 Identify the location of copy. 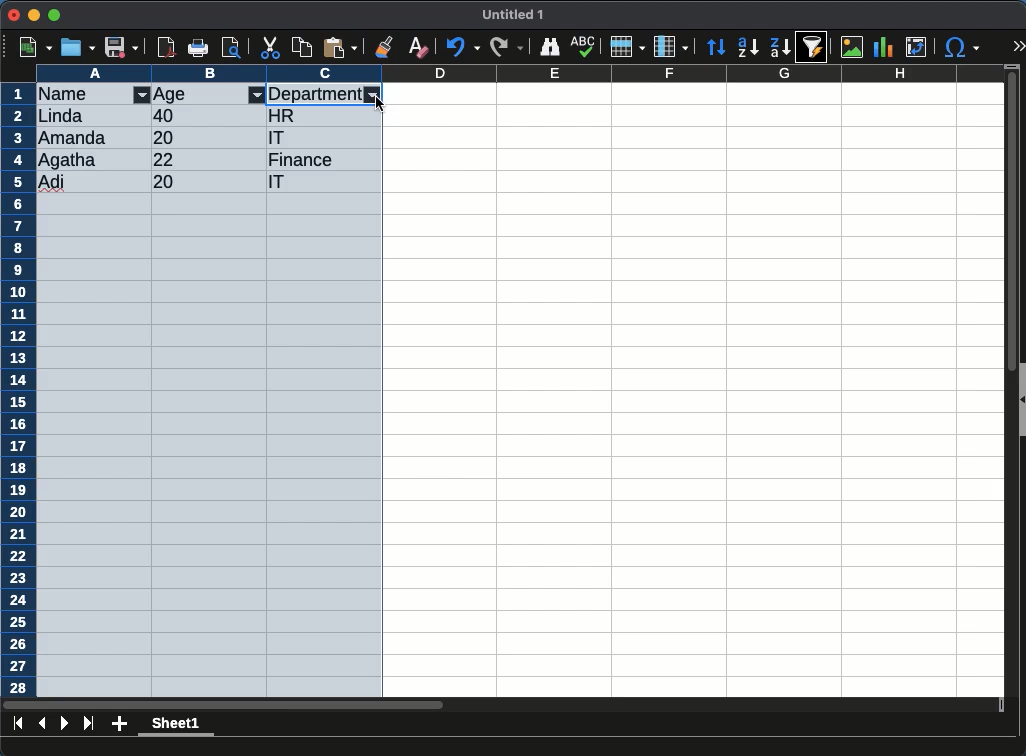
(303, 47).